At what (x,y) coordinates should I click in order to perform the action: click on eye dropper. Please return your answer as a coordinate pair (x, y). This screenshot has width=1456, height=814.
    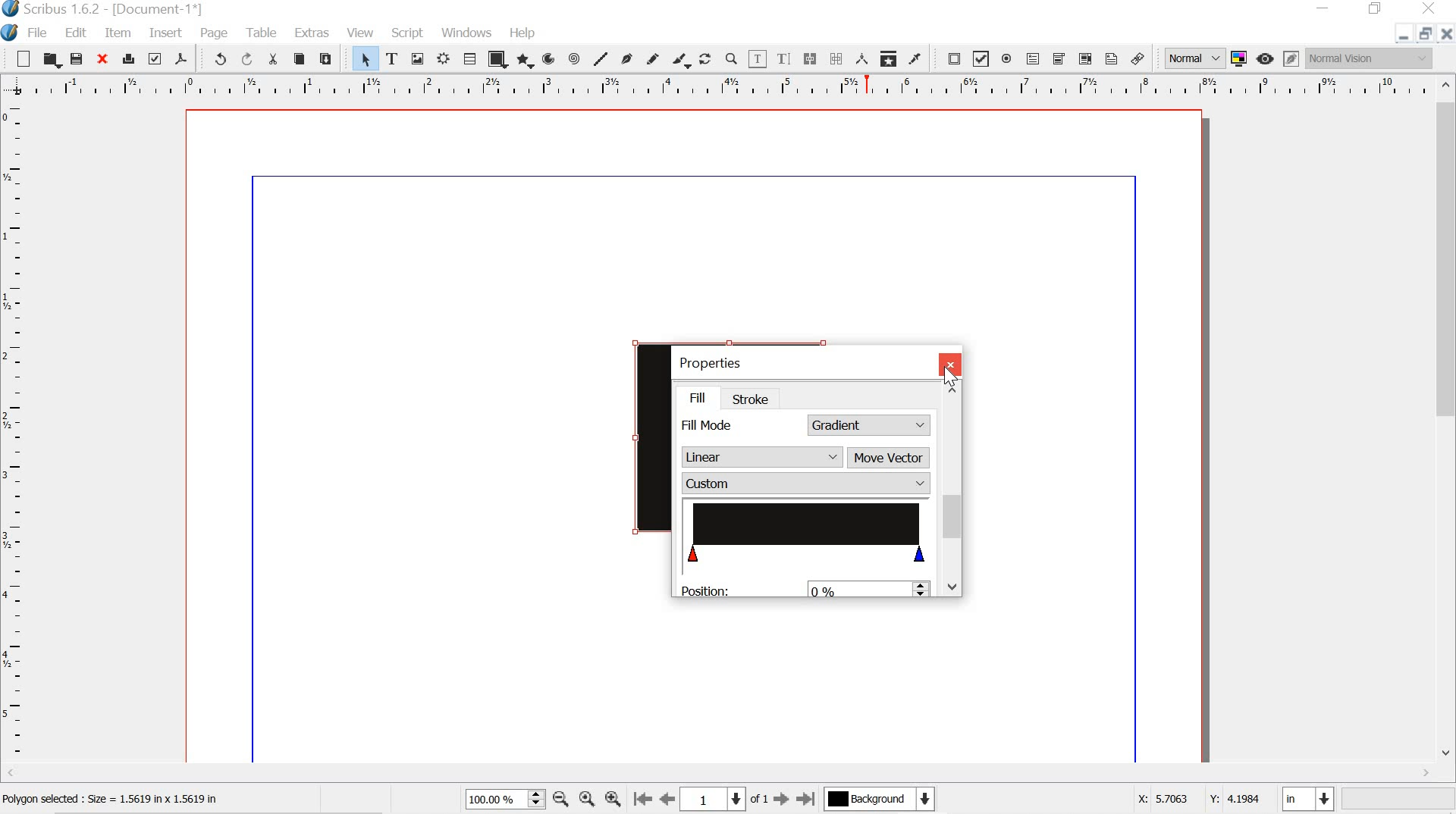
    Looking at the image, I should click on (919, 58).